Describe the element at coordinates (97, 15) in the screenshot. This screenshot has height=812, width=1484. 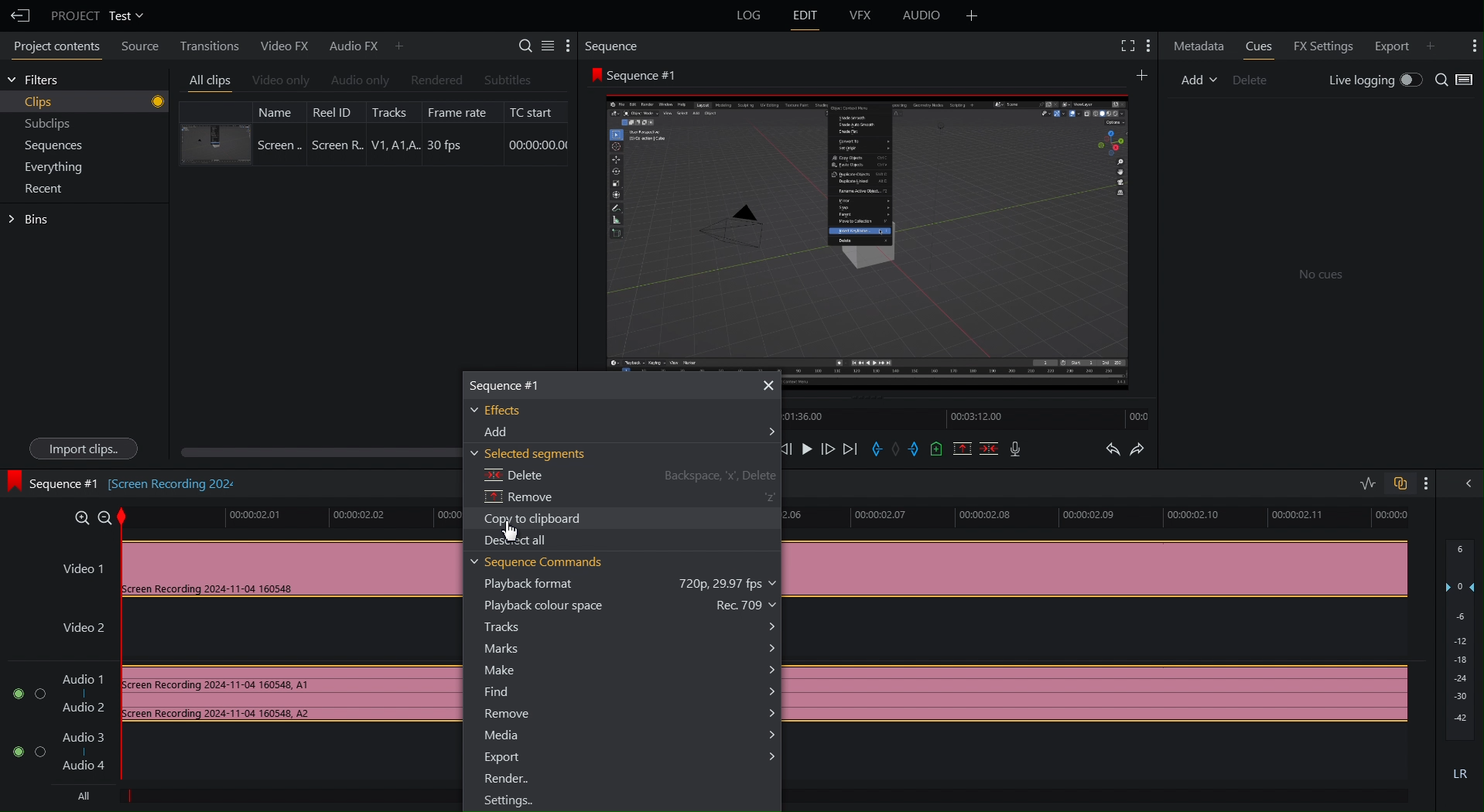
I see `Project Test` at that location.